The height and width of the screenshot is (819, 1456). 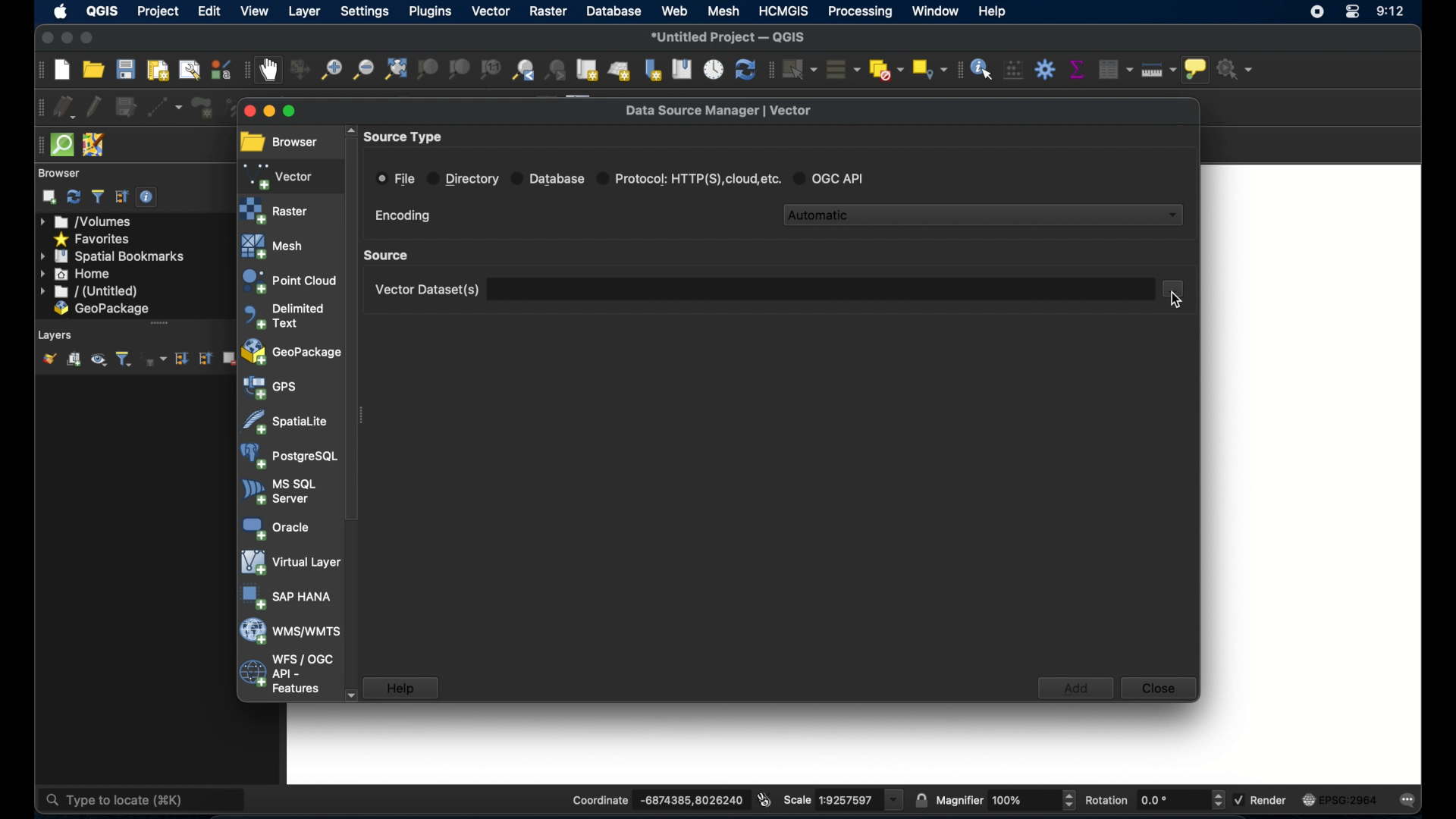 What do you see at coordinates (61, 70) in the screenshot?
I see `new project` at bounding box center [61, 70].